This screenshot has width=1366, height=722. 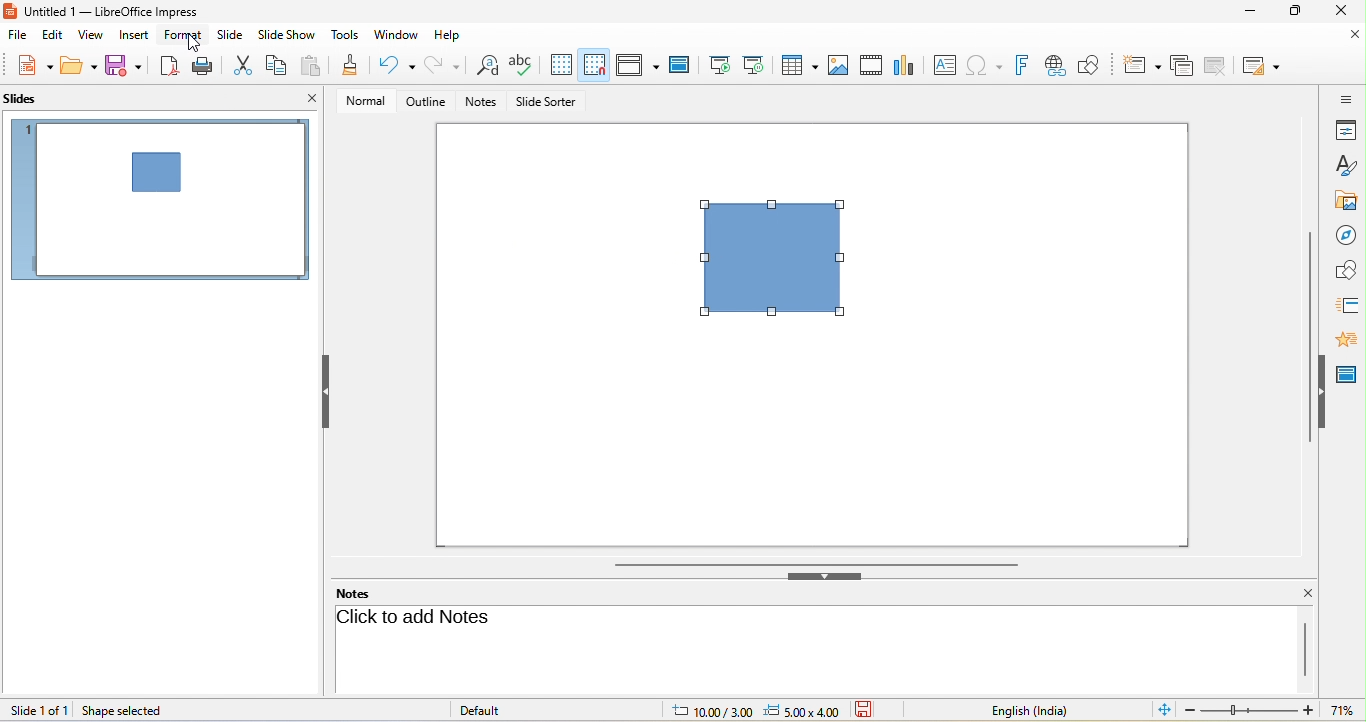 I want to click on close, so click(x=1346, y=13).